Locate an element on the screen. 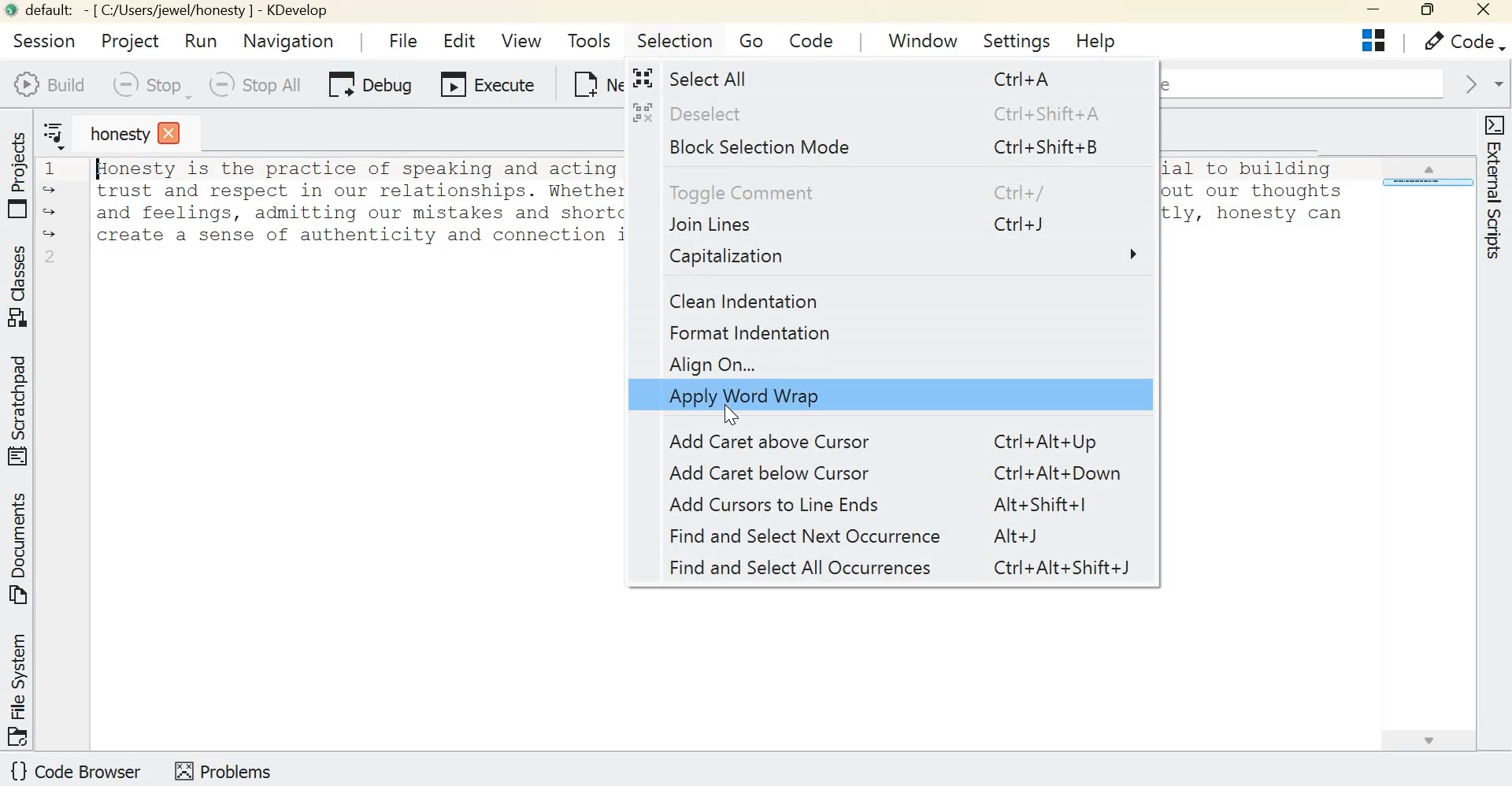 The image size is (1512, 786). Find and select all occurrences is located at coordinates (901, 567).